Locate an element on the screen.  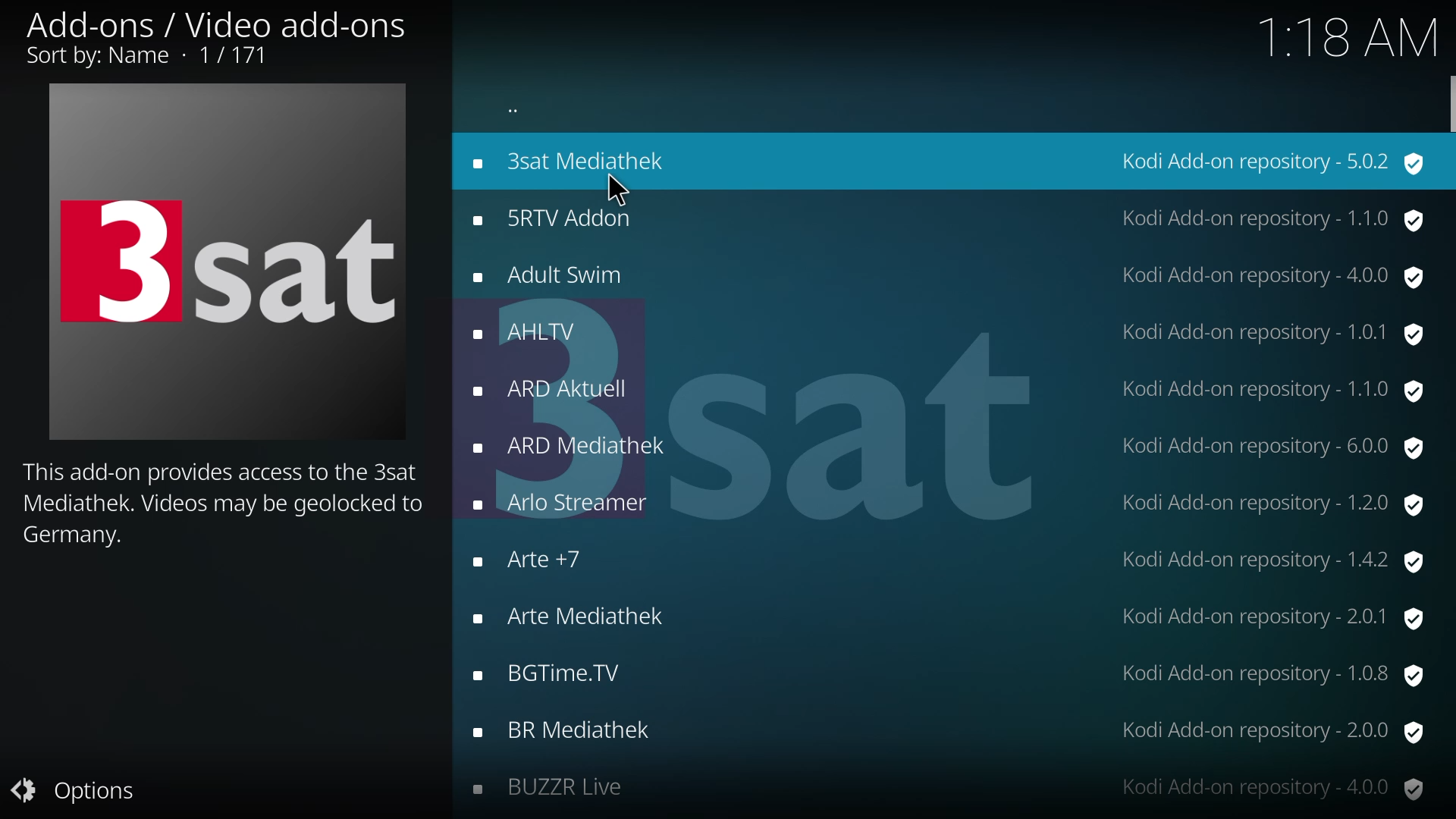
add-ons is located at coordinates (569, 395).